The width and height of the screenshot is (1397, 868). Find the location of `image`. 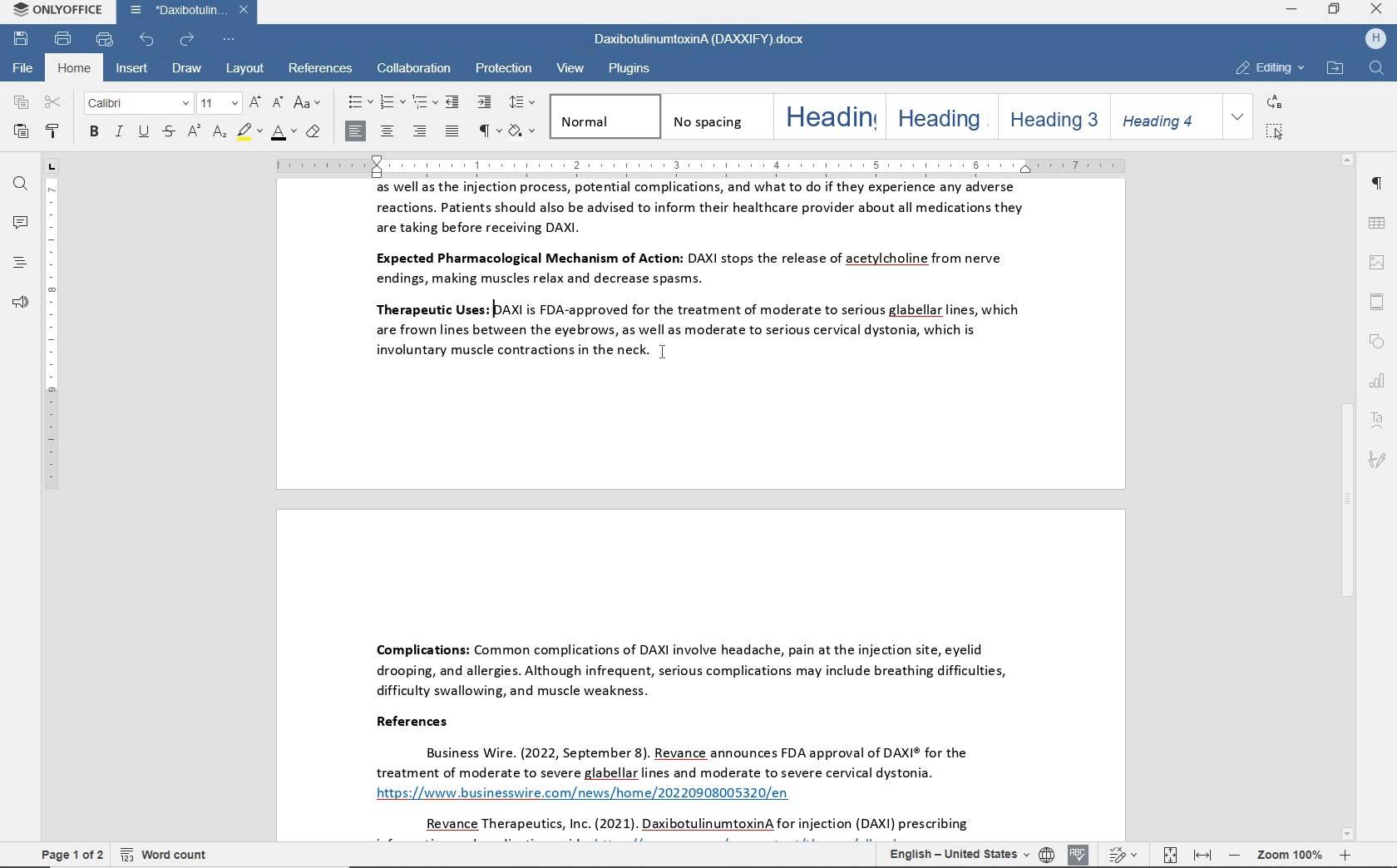

image is located at coordinates (1377, 264).